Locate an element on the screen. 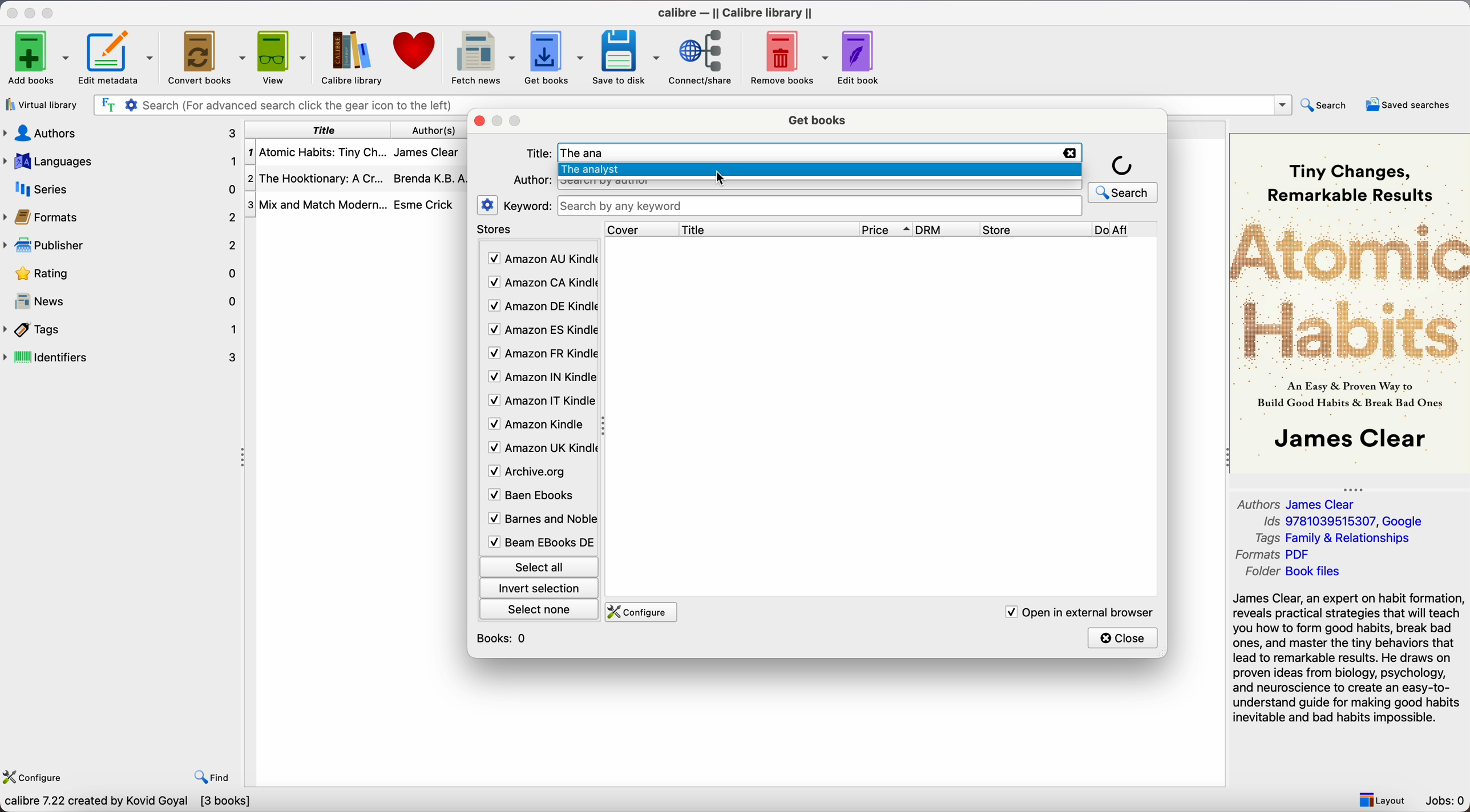 The height and width of the screenshot is (812, 1470). The ana is located at coordinates (585, 152).